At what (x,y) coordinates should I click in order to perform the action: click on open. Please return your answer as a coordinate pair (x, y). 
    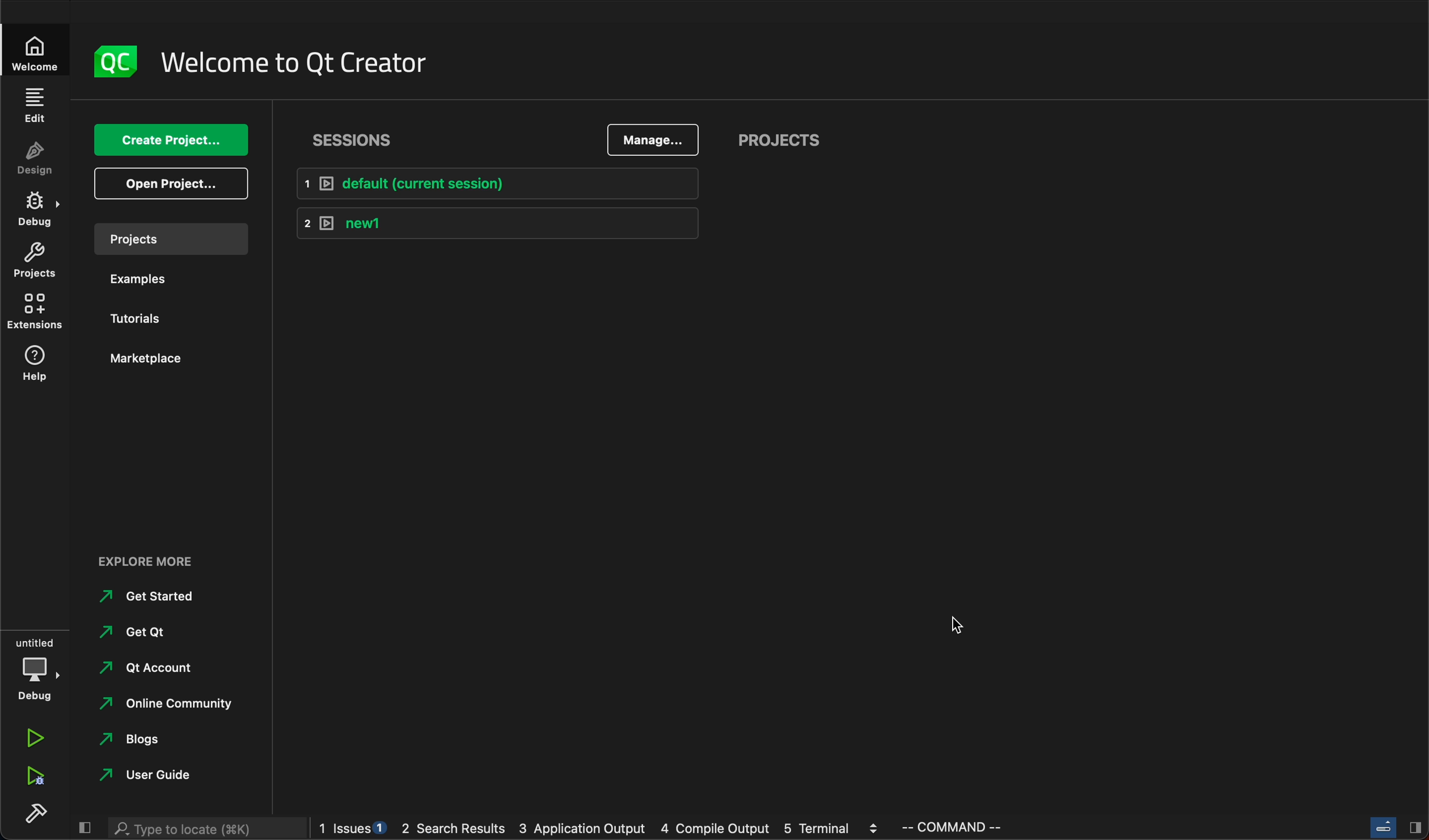
    Looking at the image, I should click on (168, 184).